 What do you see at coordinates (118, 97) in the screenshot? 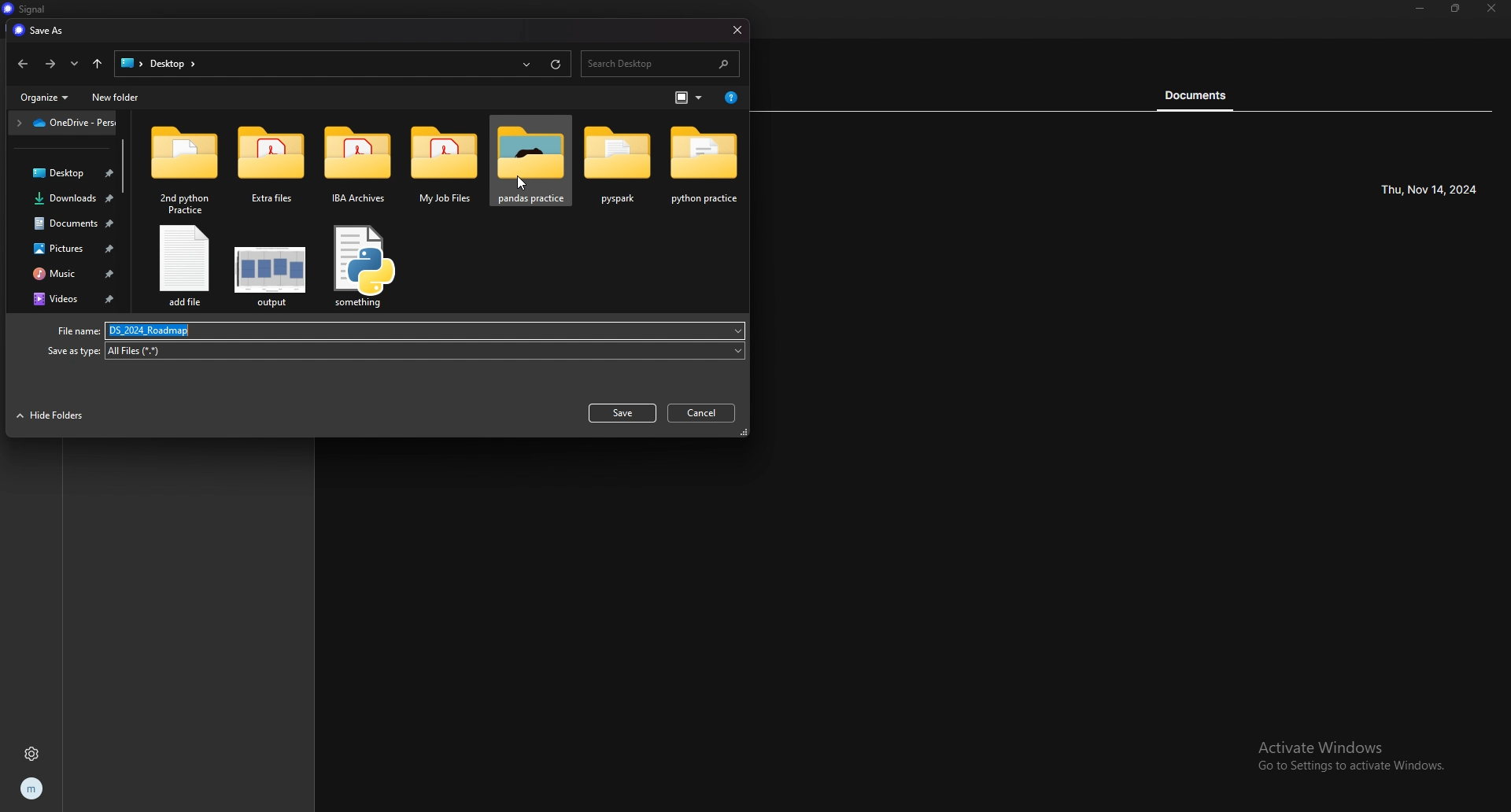
I see `new folder` at bounding box center [118, 97].